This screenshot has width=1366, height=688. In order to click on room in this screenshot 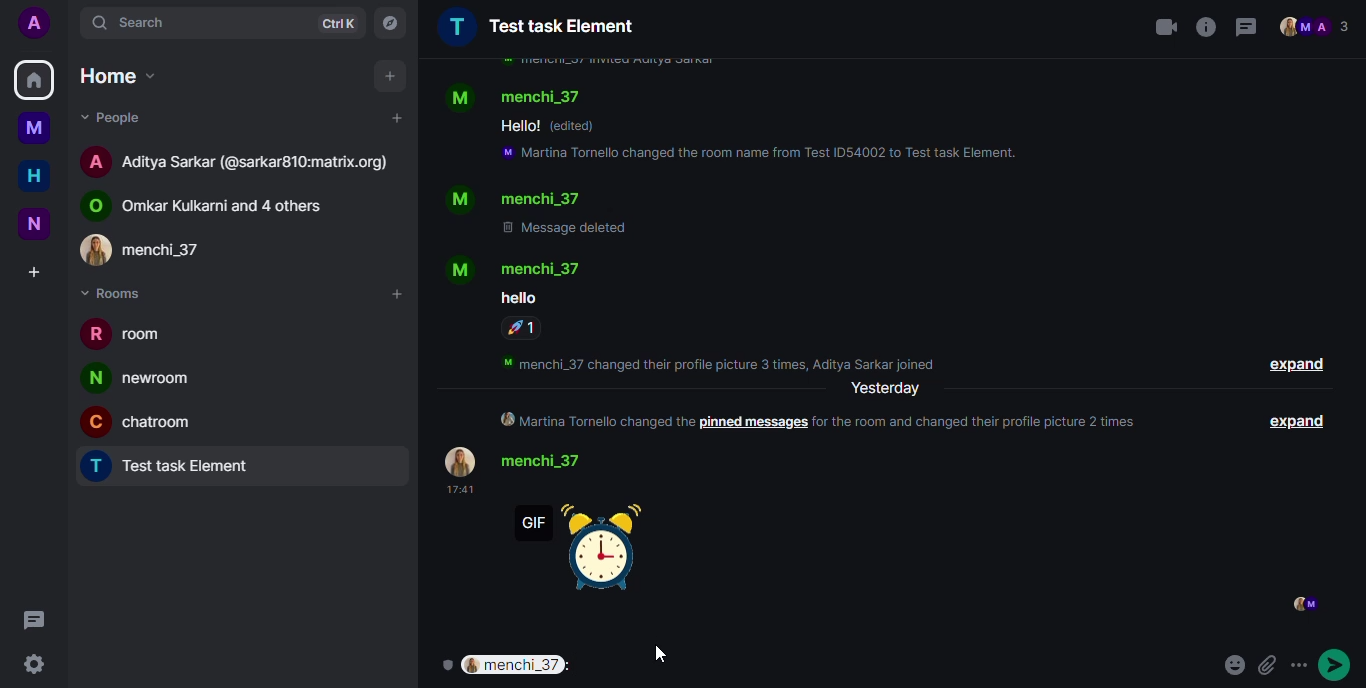, I will do `click(130, 337)`.